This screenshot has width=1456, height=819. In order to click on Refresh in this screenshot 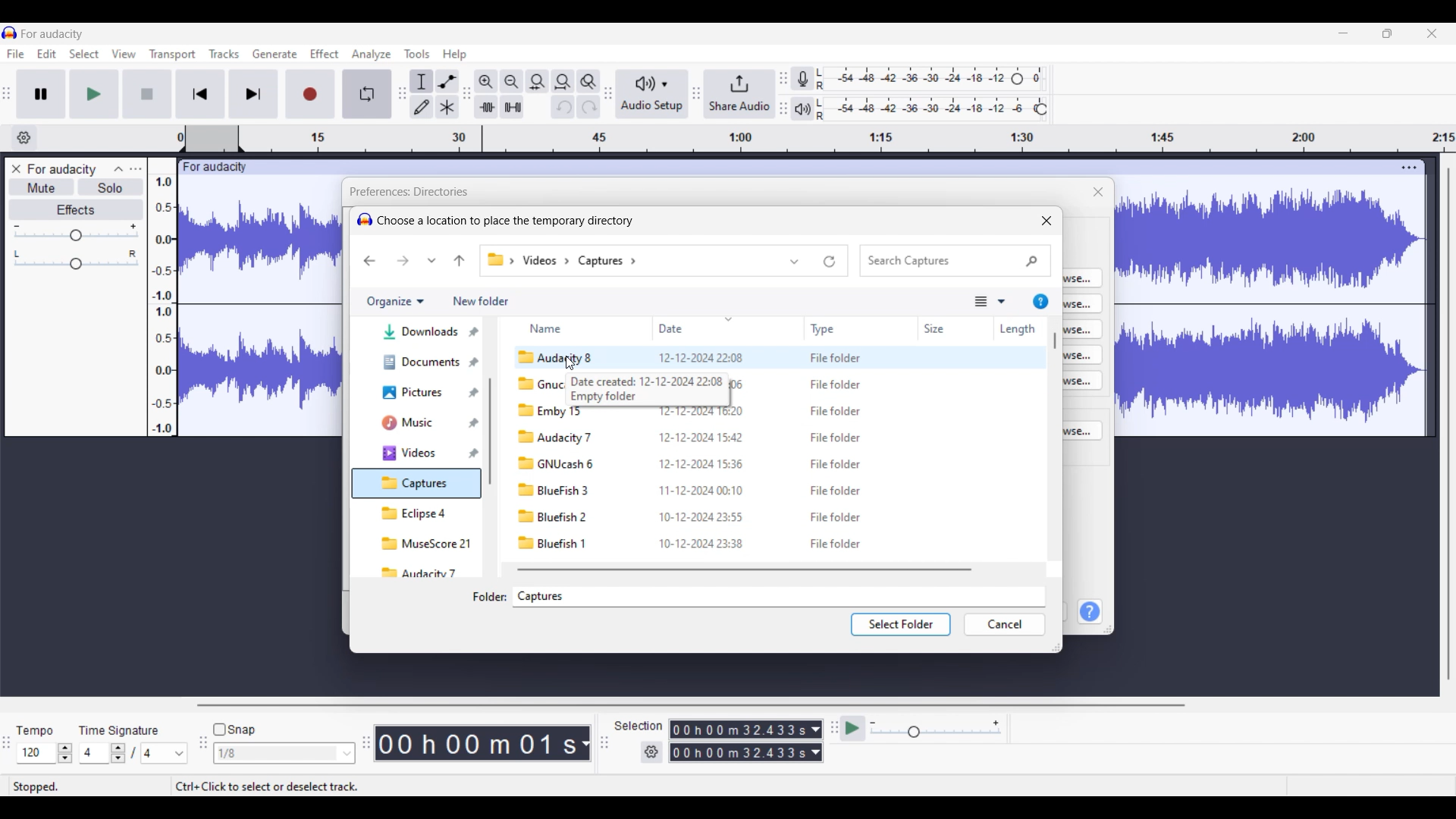, I will do `click(830, 262)`.